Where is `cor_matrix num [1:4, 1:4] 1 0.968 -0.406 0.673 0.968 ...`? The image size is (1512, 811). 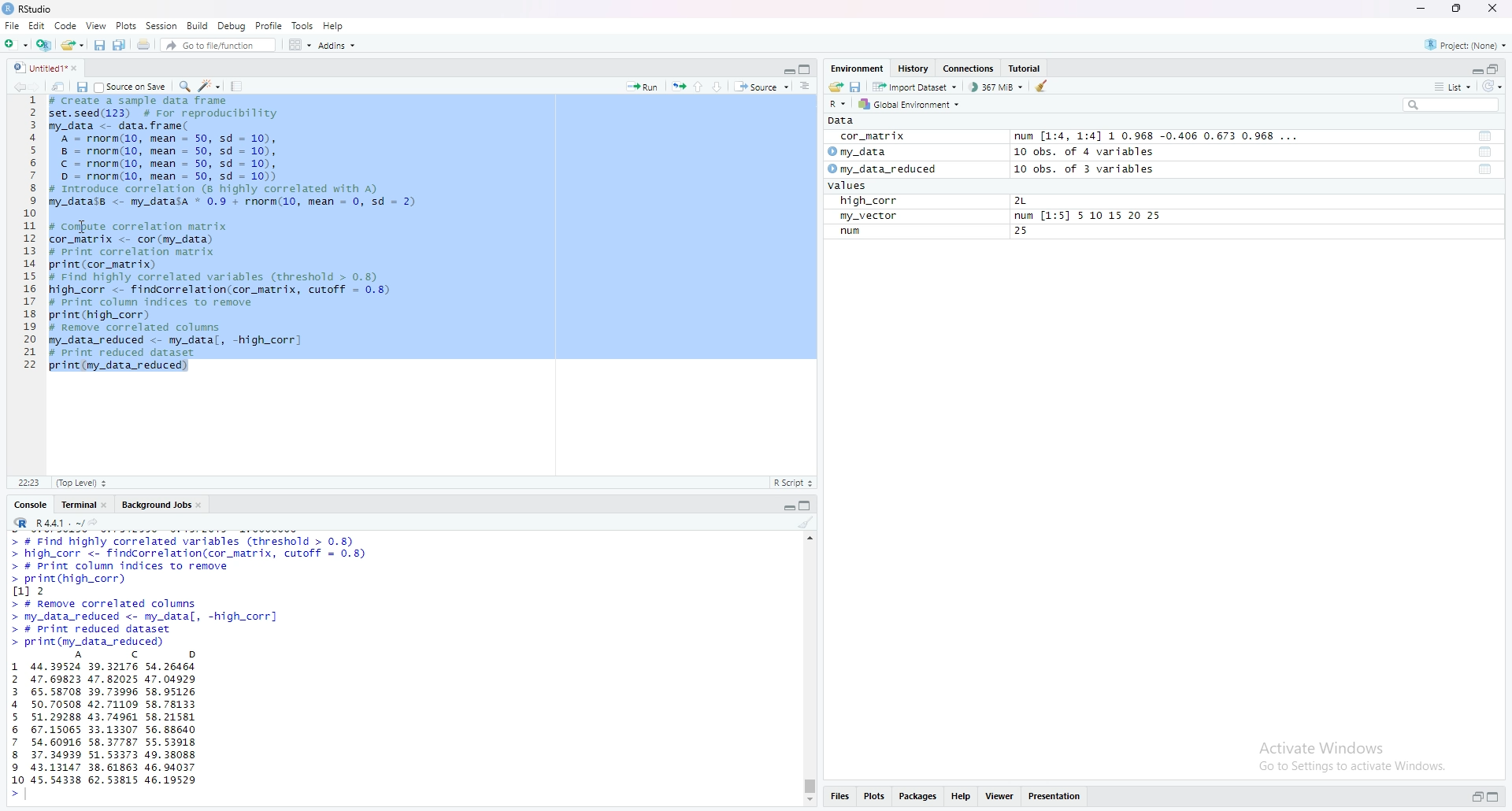
cor_matrix num [1:4, 1:4] 1 0.968 -0.406 0.673 0.968 ... is located at coordinates (1074, 136).